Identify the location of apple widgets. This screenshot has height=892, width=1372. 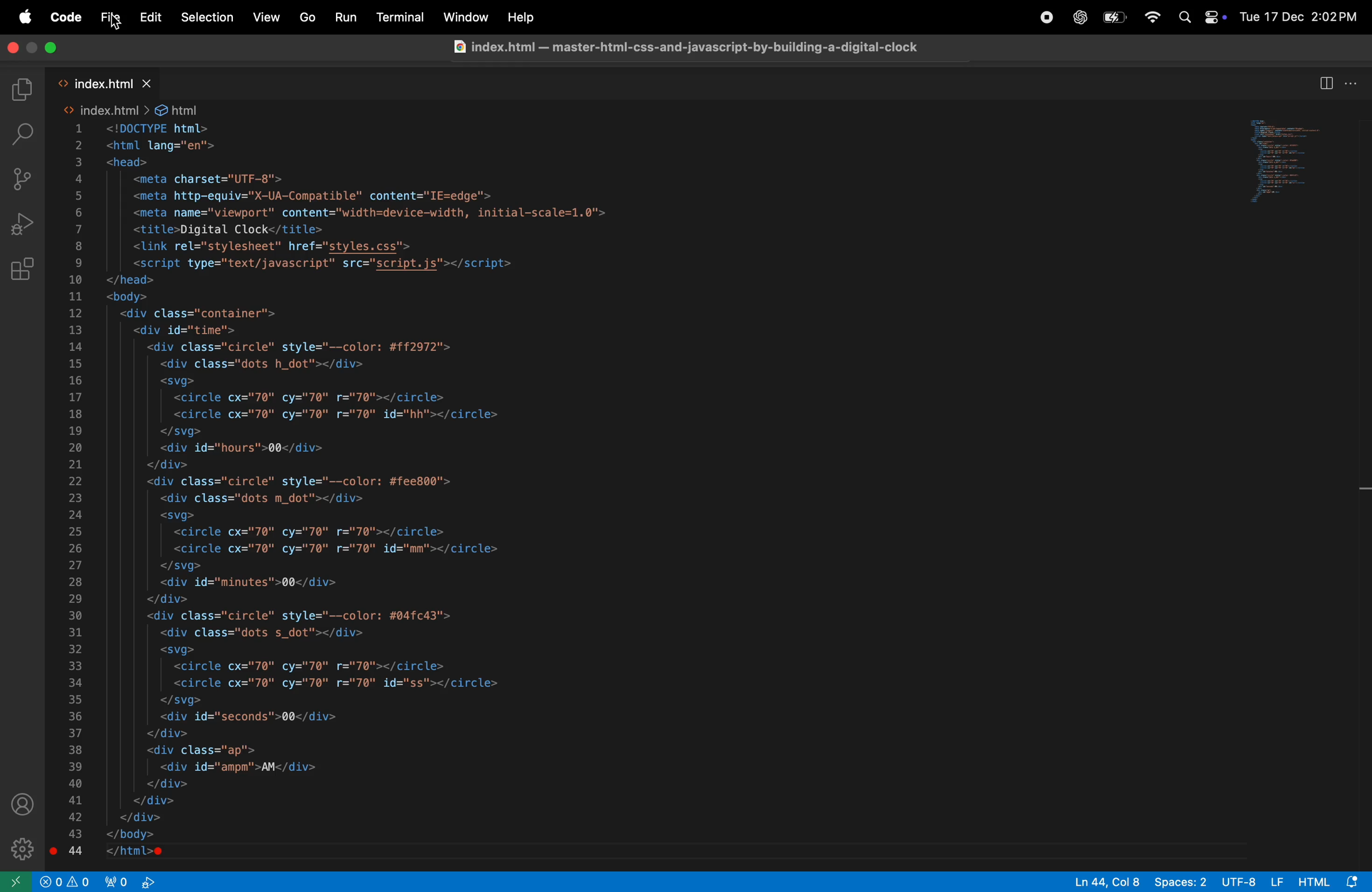
(1215, 19).